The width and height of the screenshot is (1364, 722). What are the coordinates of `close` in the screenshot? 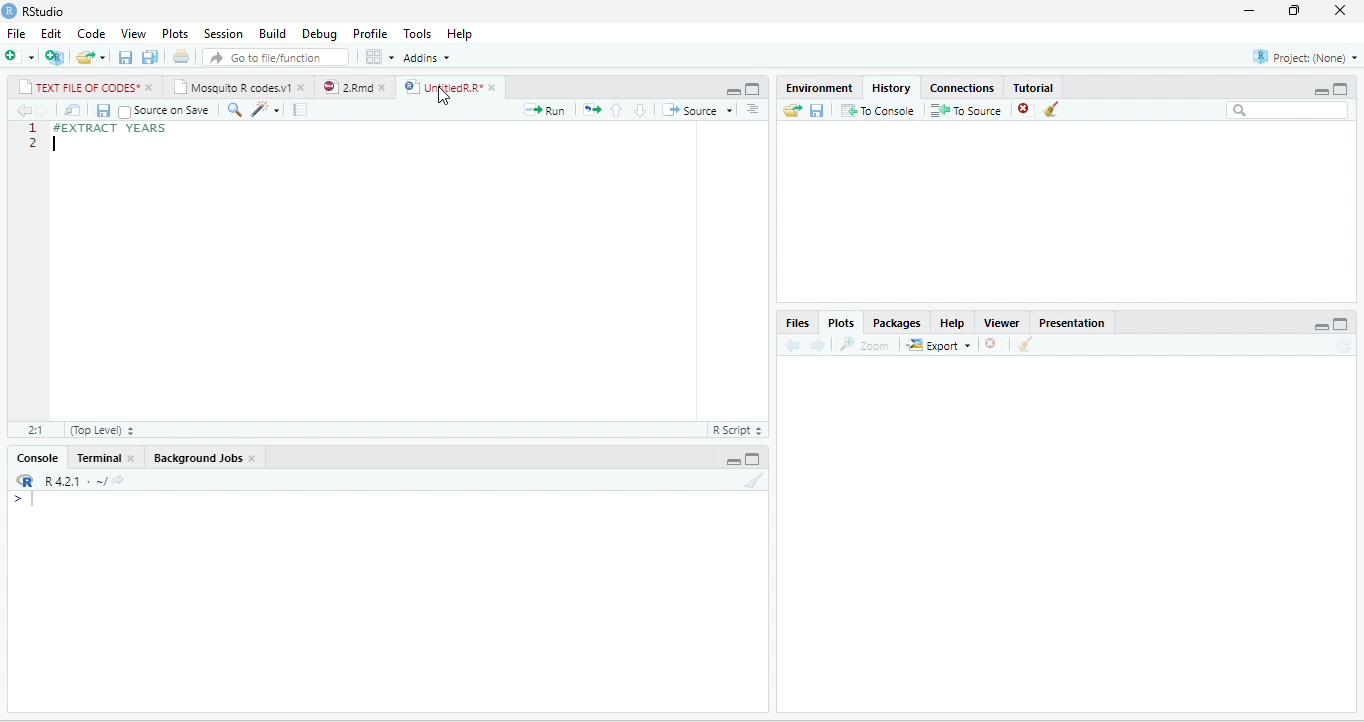 It's located at (253, 458).